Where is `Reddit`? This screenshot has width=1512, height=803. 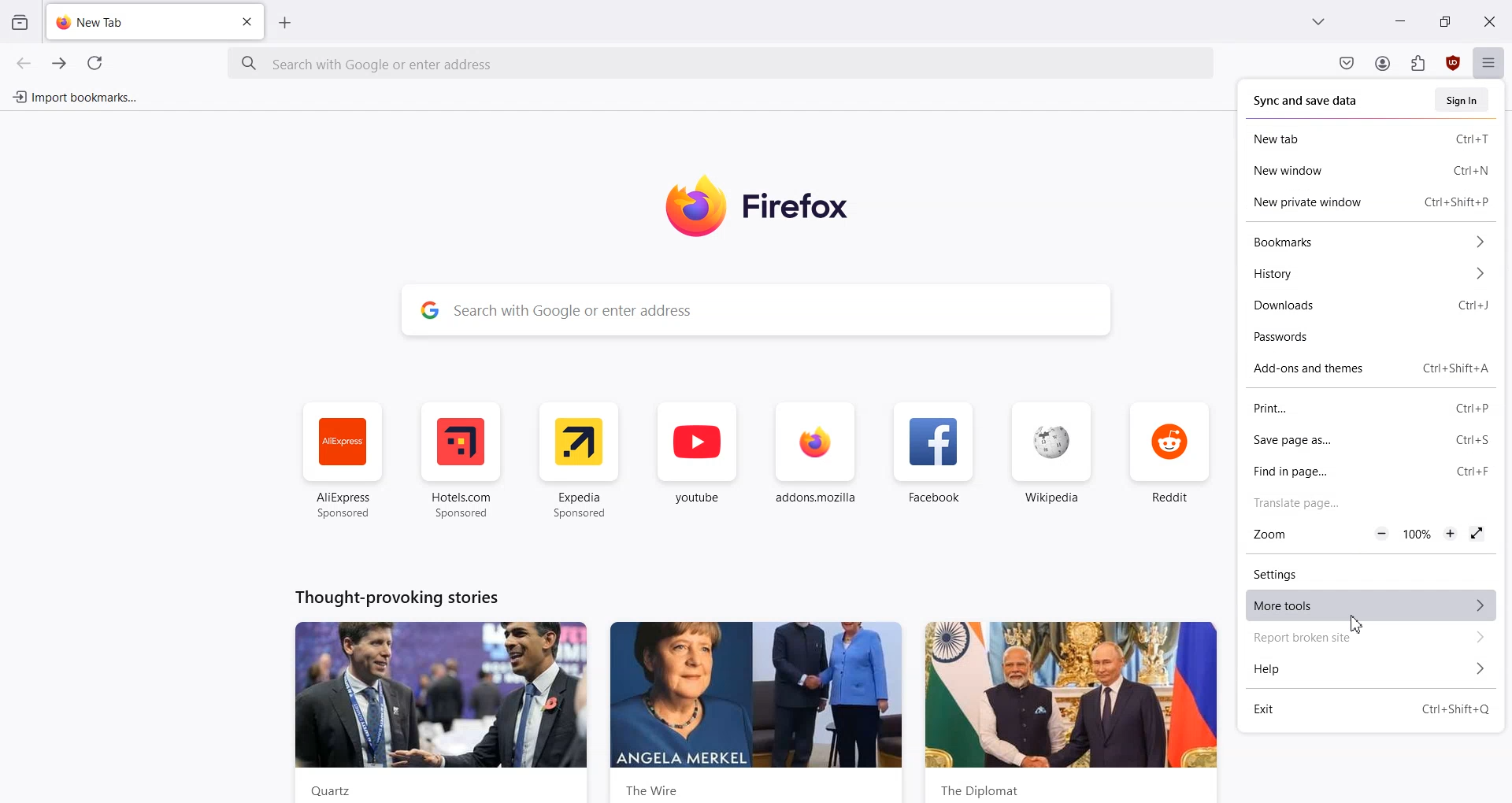 Reddit is located at coordinates (1173, 461).